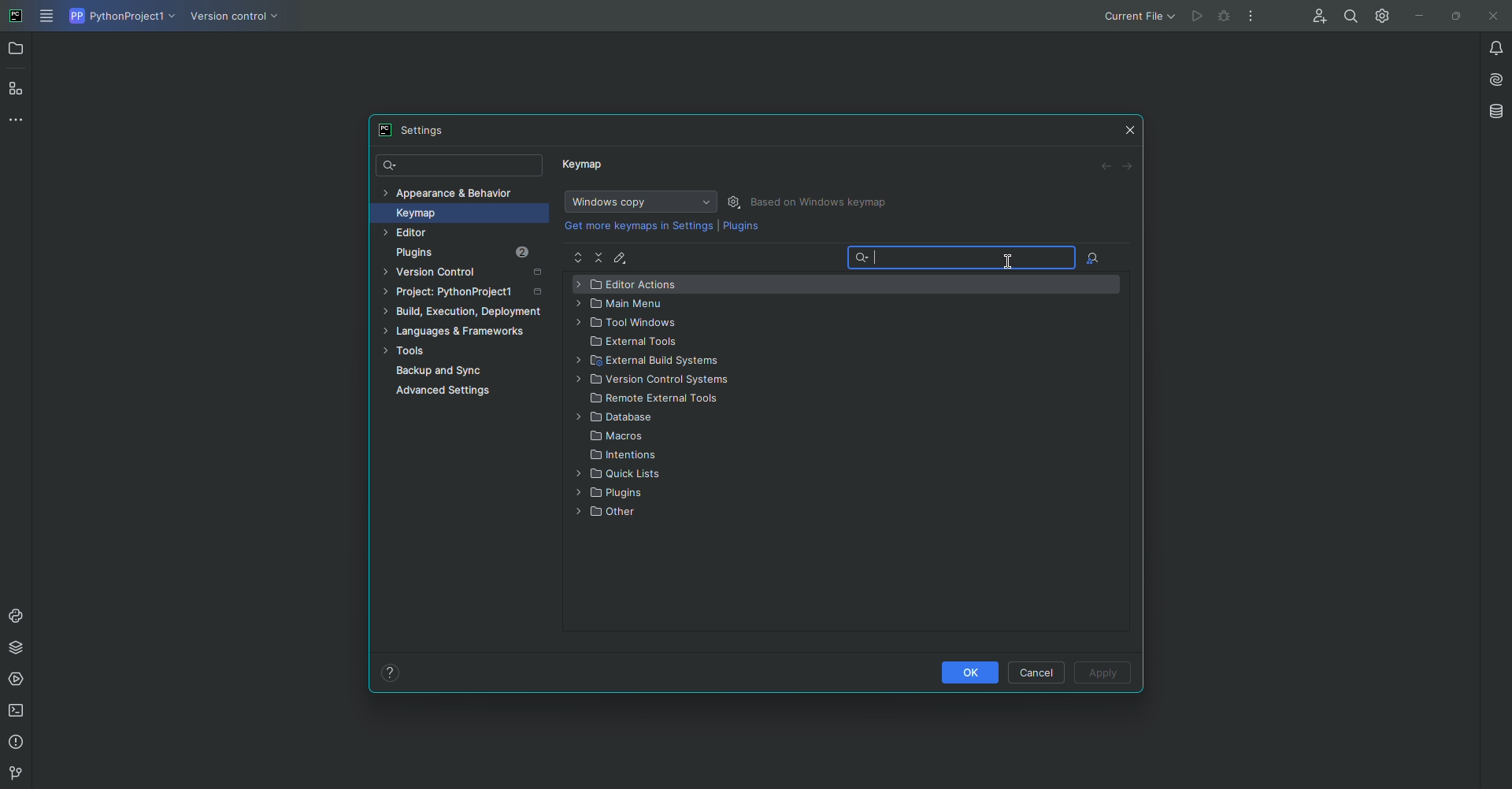 This screenshot has width=1512, height=789. I want to click on Packages, so click(20, 647).